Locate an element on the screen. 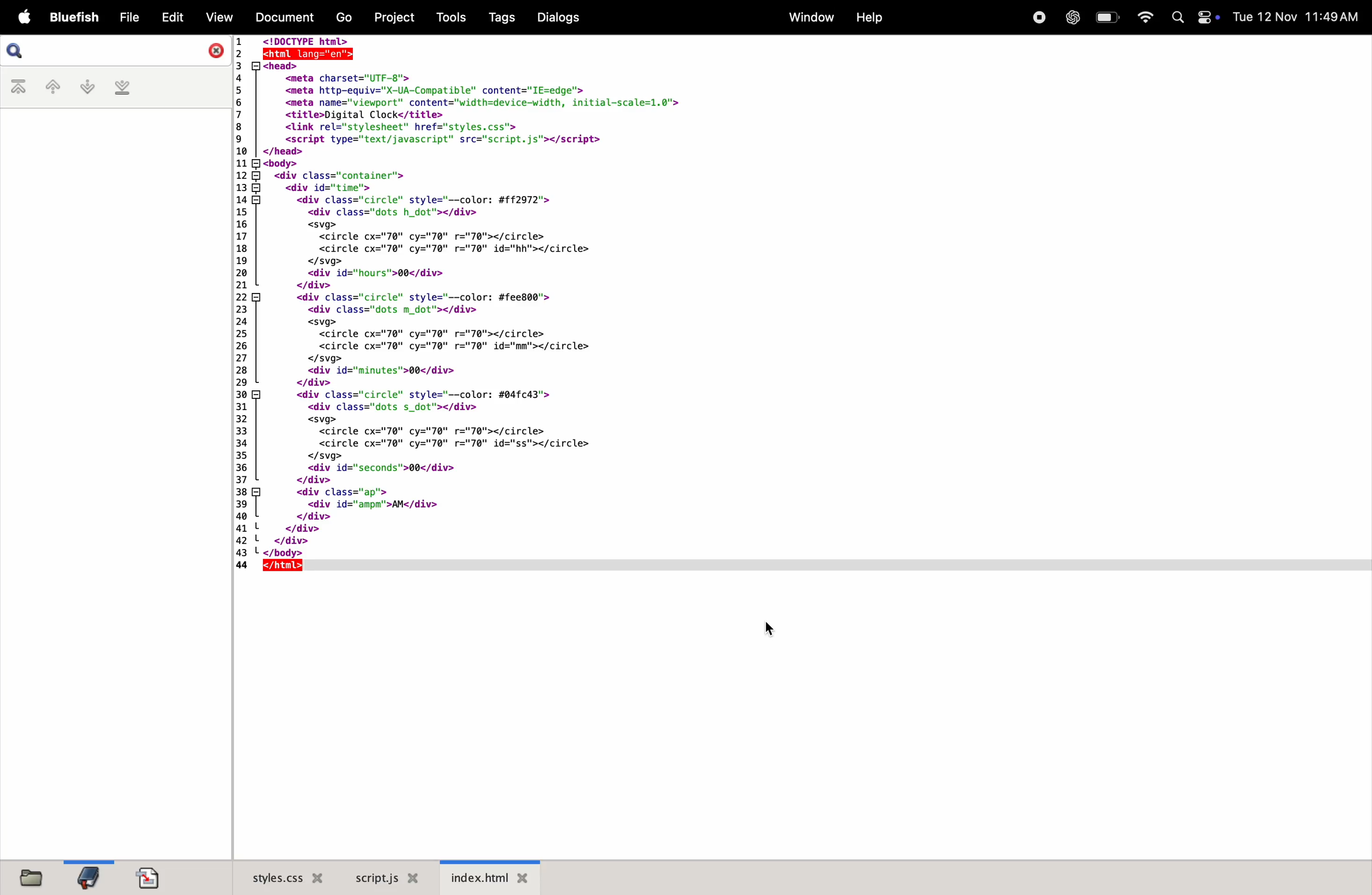 The height and width of the screenshot is (895, 1372). bookmarksfile is located at coordinates (86, 876).